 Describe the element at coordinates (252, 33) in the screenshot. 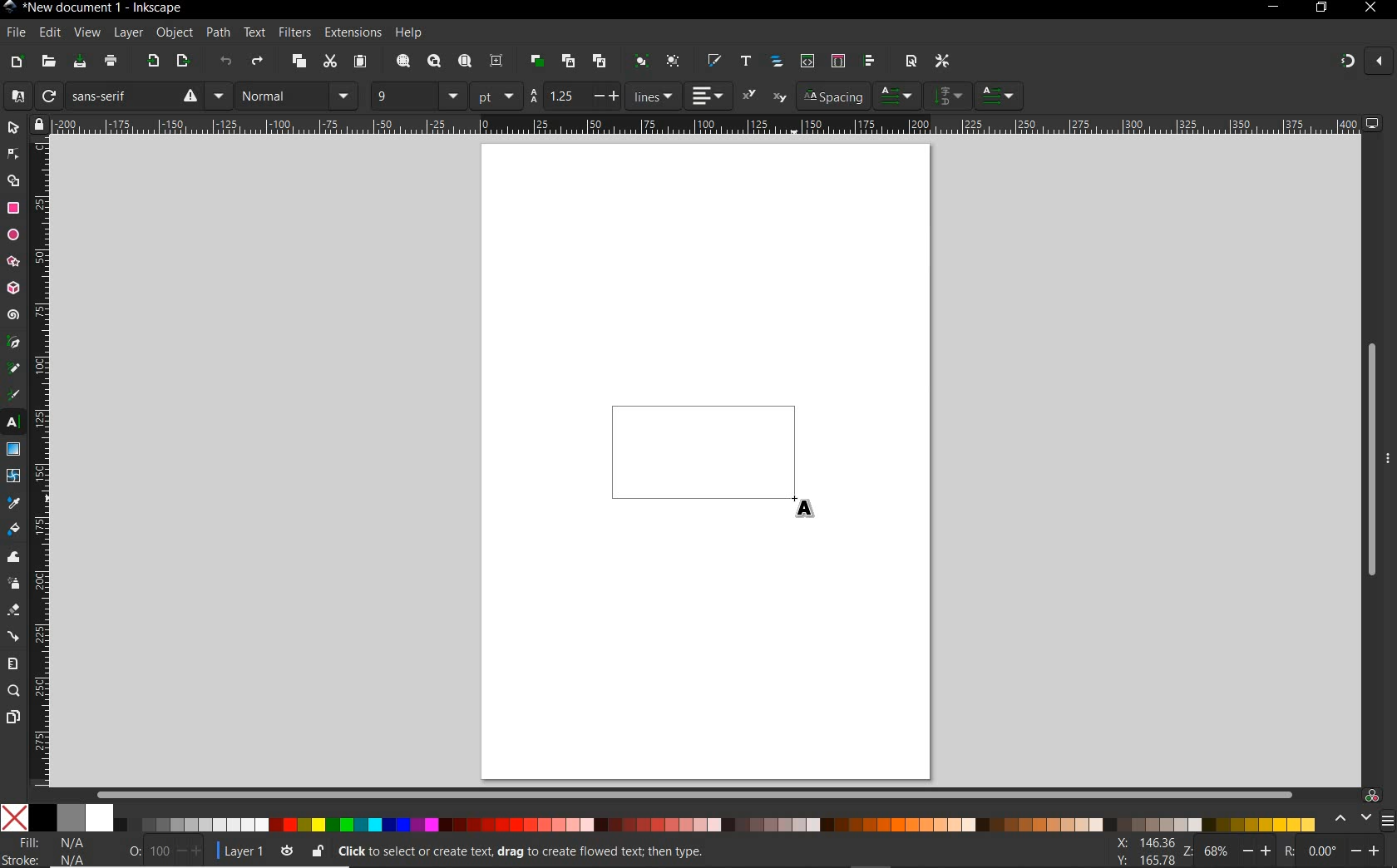

I see `text` at that location.